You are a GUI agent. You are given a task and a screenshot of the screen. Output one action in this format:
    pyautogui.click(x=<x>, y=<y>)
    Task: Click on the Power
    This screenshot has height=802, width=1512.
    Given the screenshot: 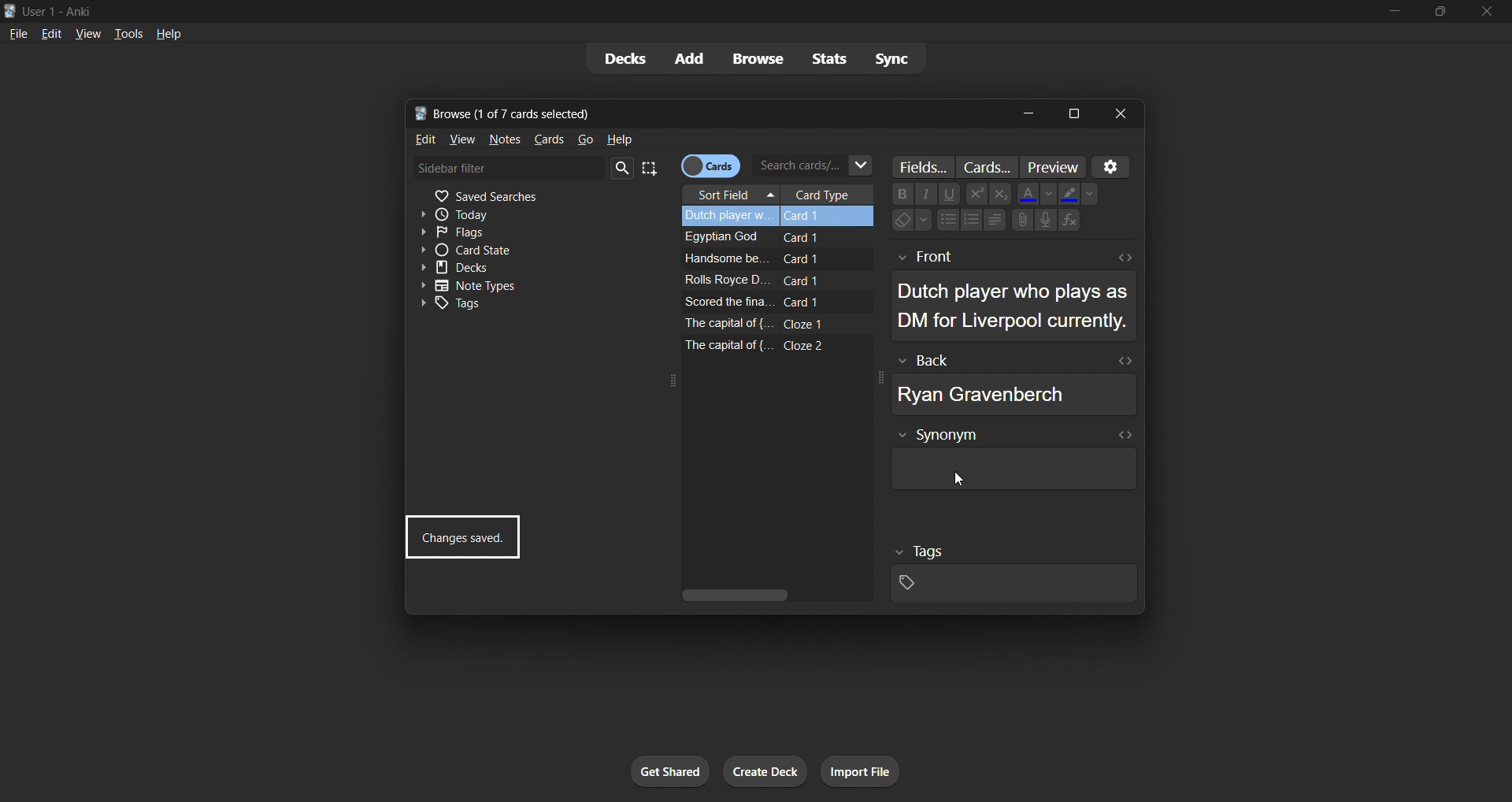 What is the action you would take?
    pyautogui.click(x=976, y=192)
    